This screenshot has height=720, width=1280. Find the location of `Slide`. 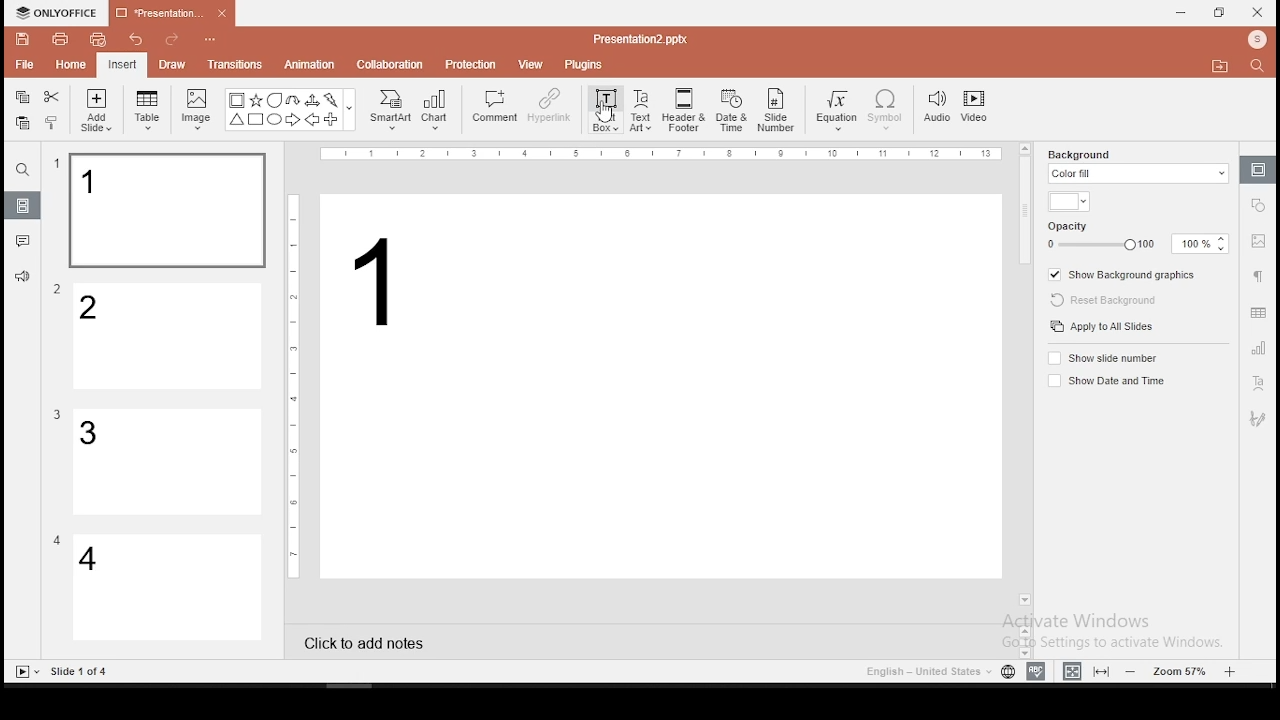

Slide is located at coordinates (23, 672).